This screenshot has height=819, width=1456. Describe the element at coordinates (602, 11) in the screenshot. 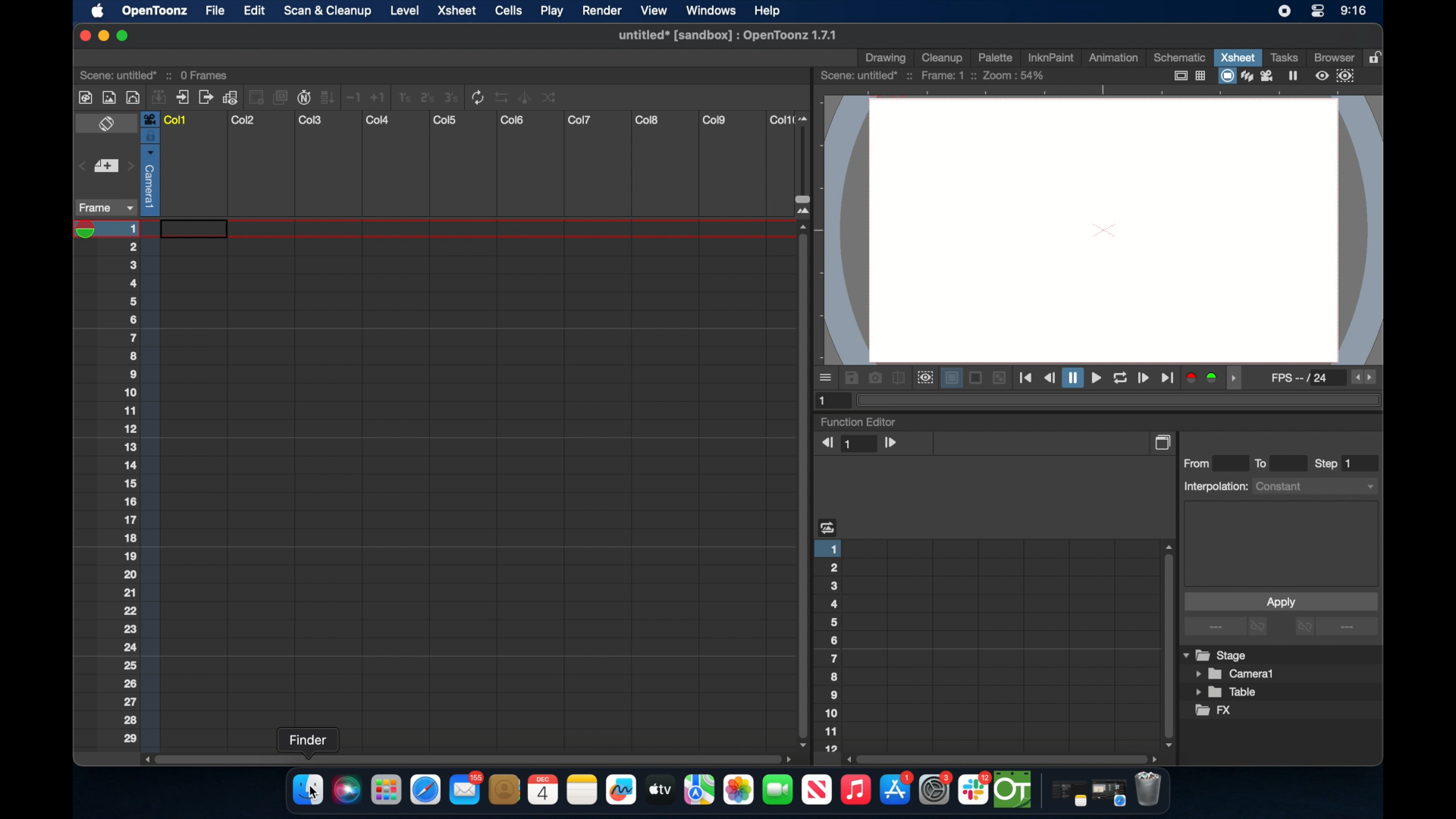

I see `render` at that location.